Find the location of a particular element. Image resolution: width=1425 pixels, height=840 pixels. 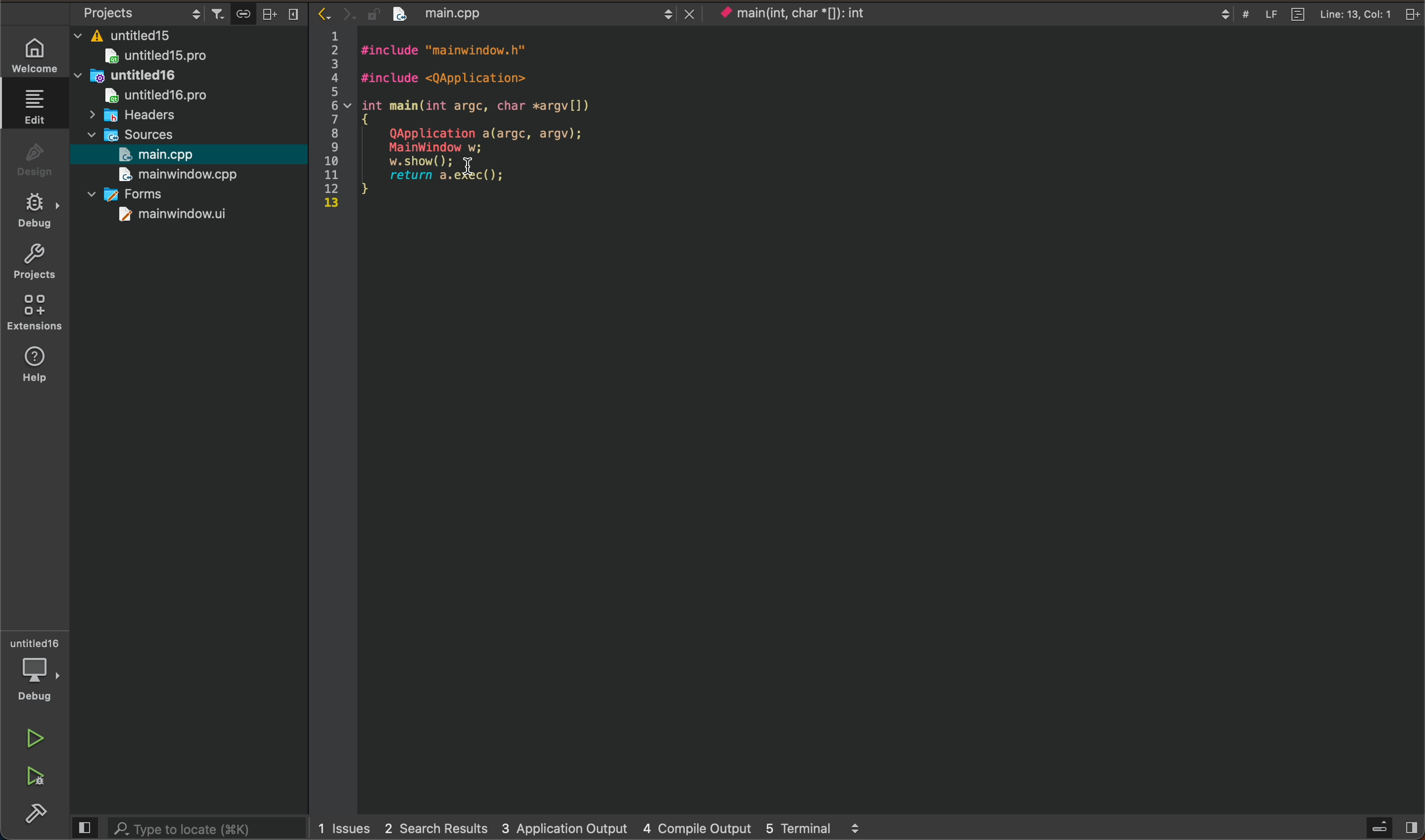

extensions is located at coordinates (35, 312).